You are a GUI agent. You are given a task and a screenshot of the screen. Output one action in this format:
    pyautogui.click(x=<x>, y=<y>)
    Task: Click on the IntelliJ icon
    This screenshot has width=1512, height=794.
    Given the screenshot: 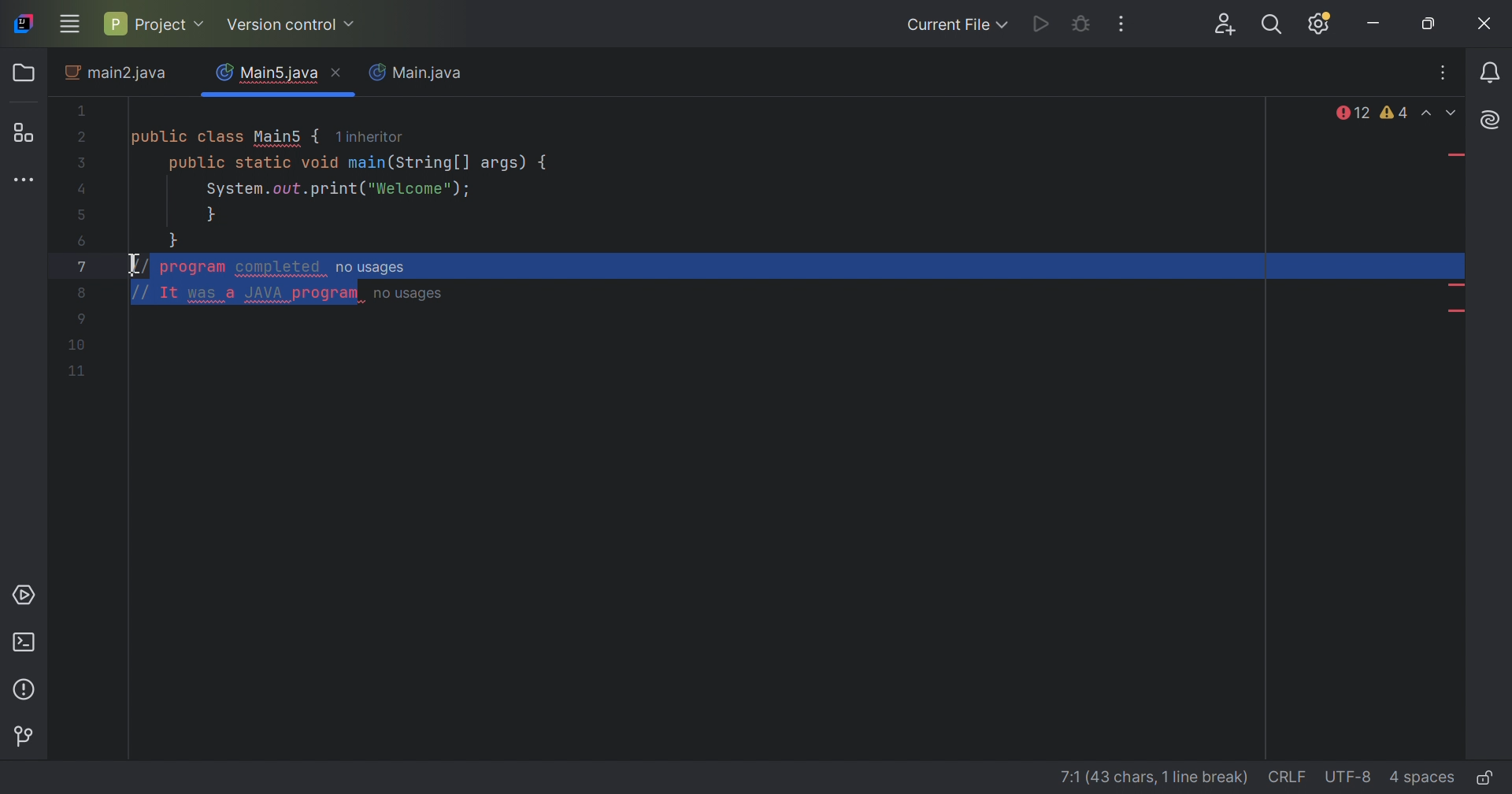 What is the action you would take?
    pyautogui.click(x=24, y=24)
    